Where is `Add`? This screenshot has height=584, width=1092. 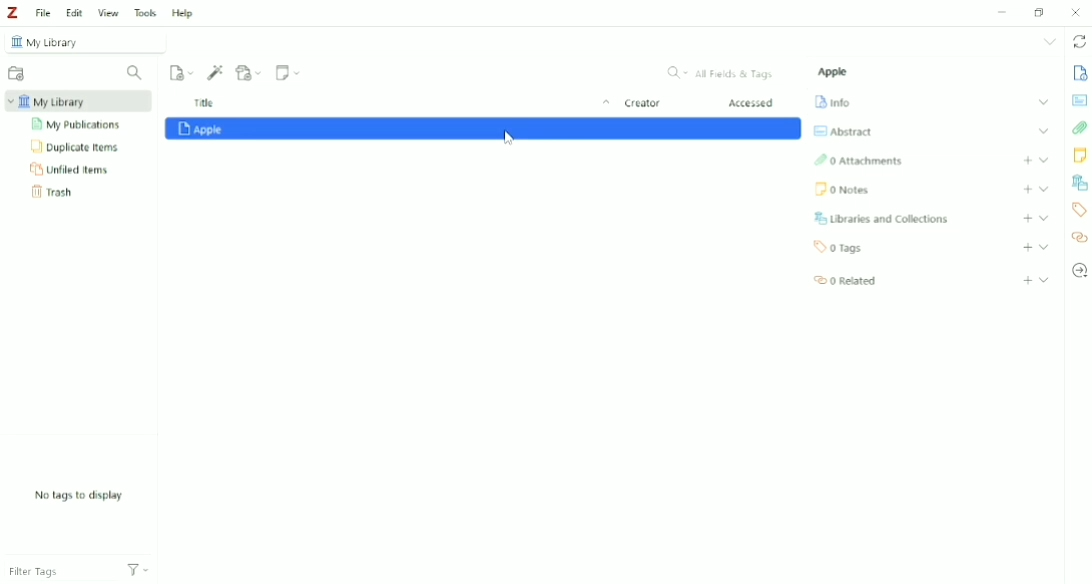
Add is located at coordinates (1027, 280).